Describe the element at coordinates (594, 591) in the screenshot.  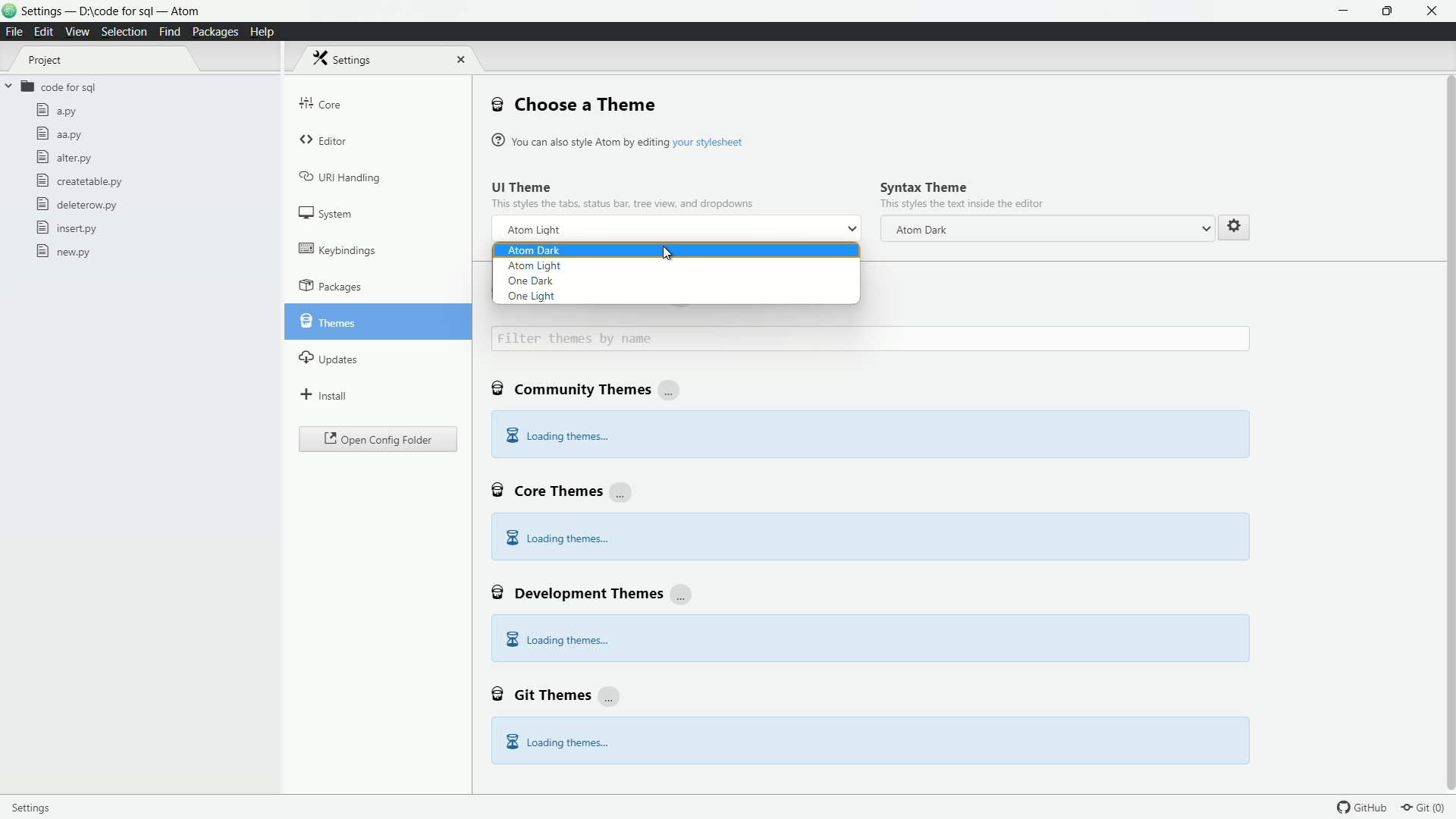
I see `developing themes` at that location.